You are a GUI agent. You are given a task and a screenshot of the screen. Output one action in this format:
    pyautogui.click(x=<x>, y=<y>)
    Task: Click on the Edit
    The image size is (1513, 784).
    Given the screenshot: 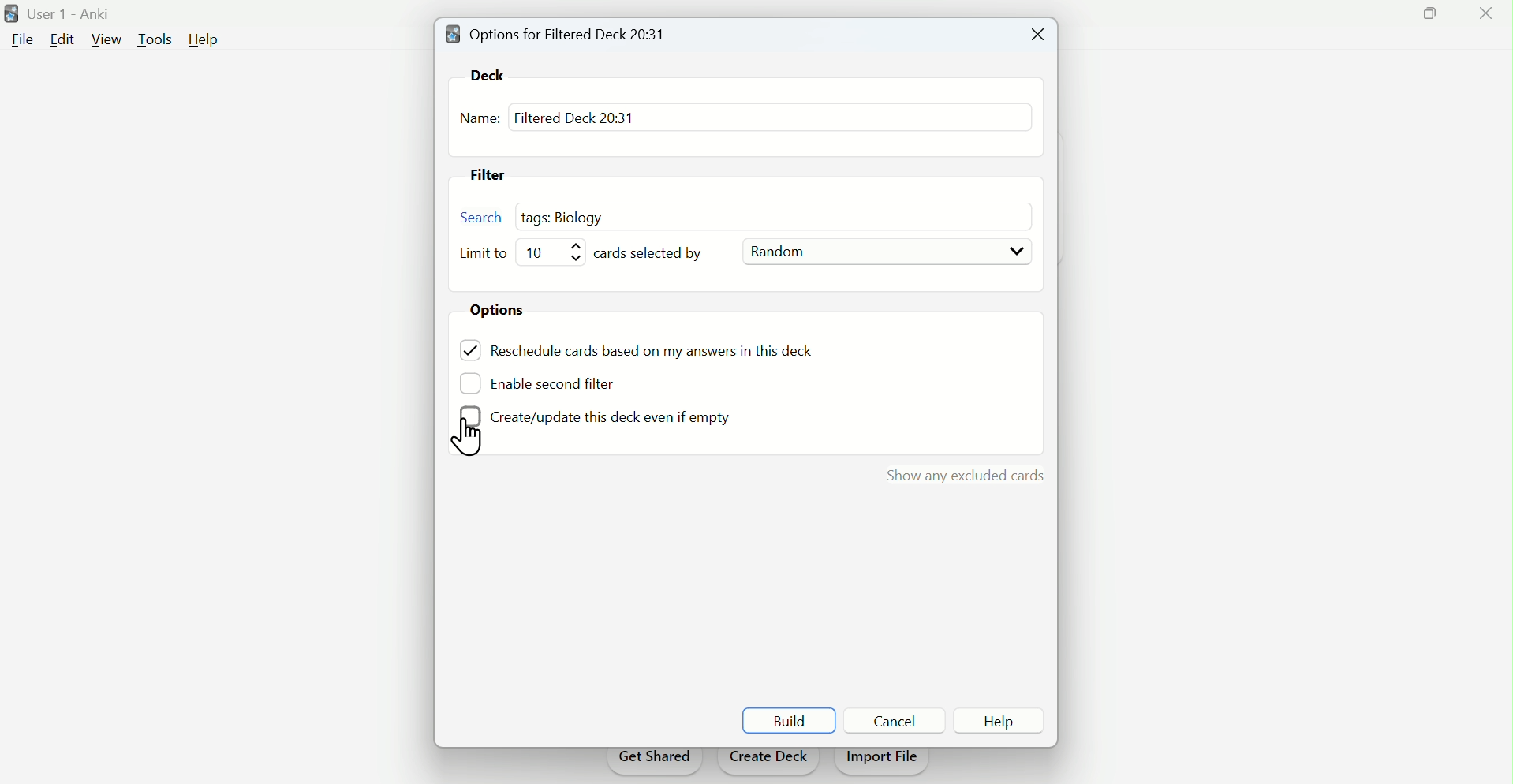 What is the action you would take?
    pyautogui.click(x=61, y=39)
    